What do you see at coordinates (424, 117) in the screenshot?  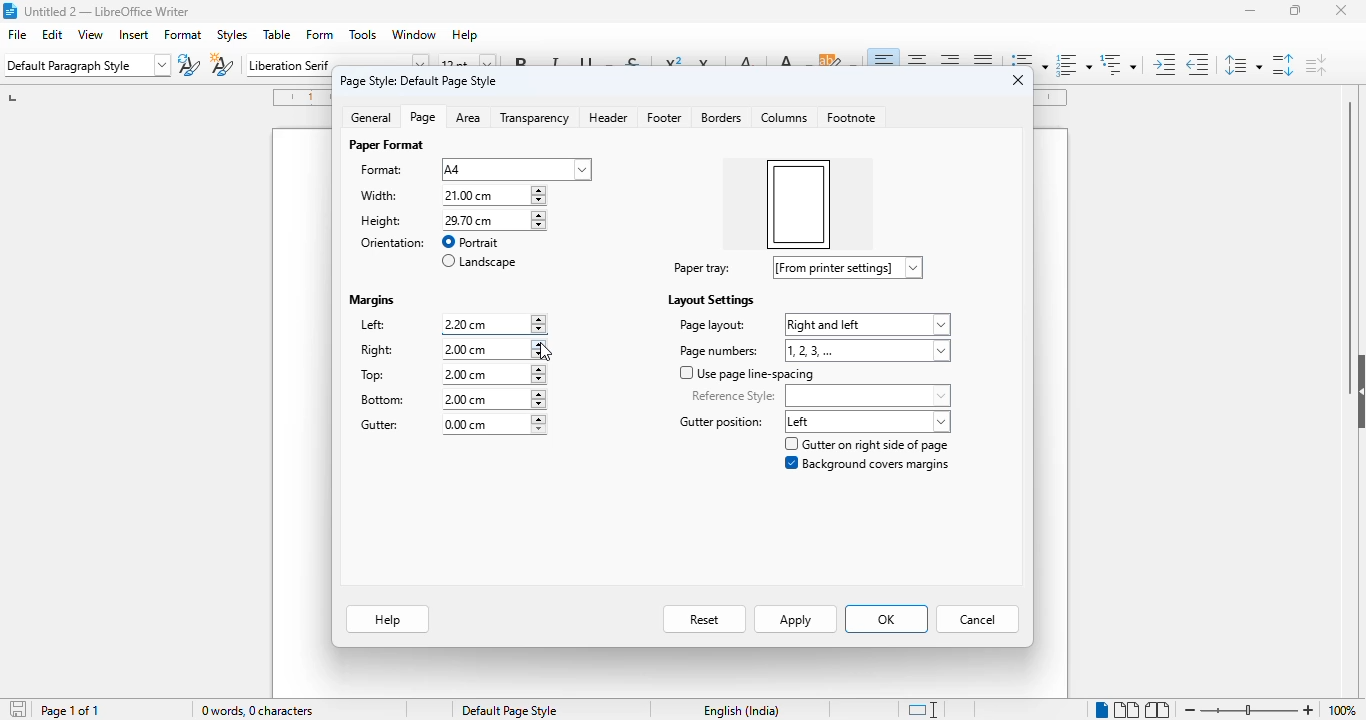 I see `page` at bounding box center [424, 117].